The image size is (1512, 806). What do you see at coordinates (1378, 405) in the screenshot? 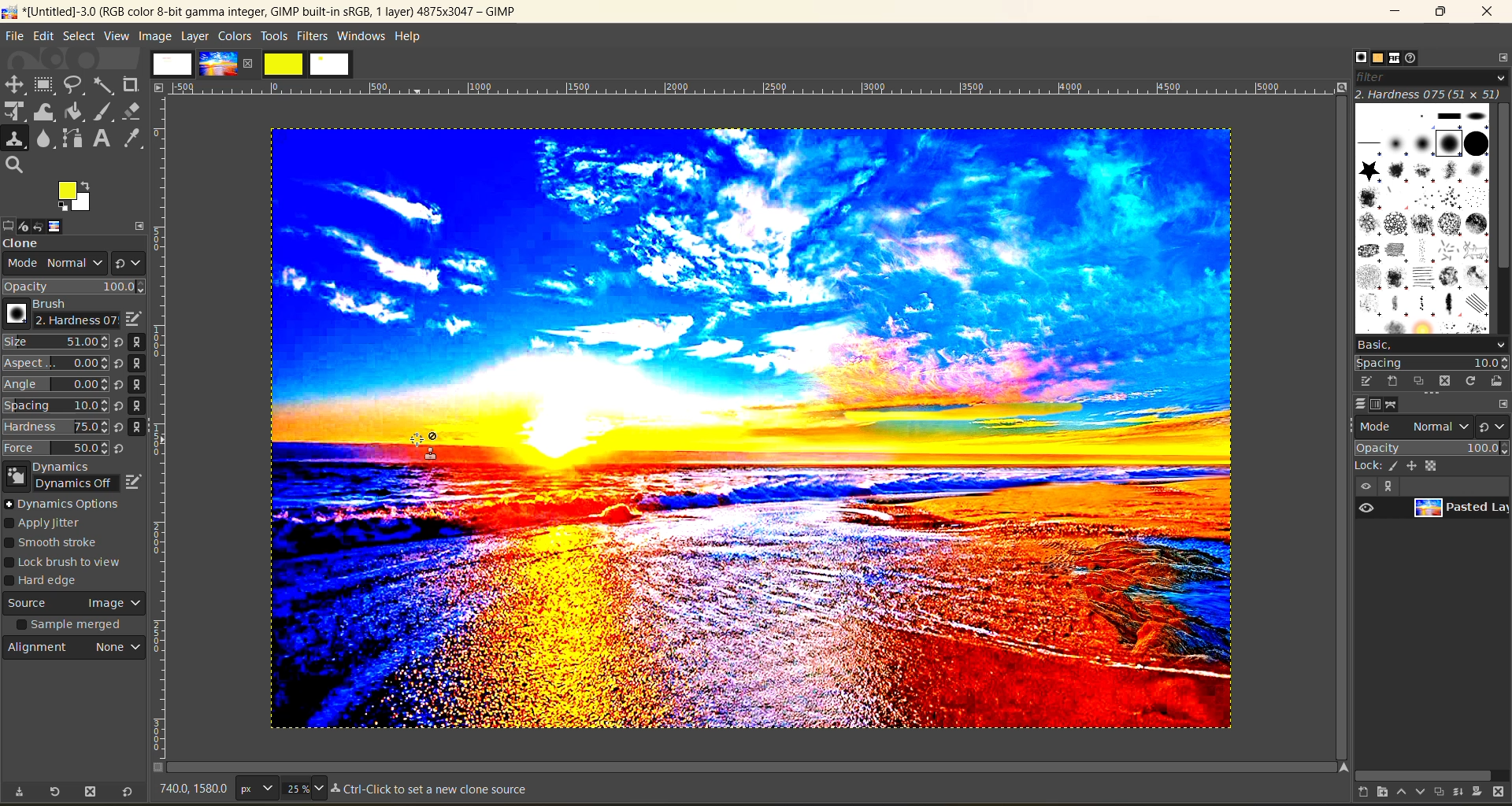
I see `channels` at bounding box center [1378, 405].